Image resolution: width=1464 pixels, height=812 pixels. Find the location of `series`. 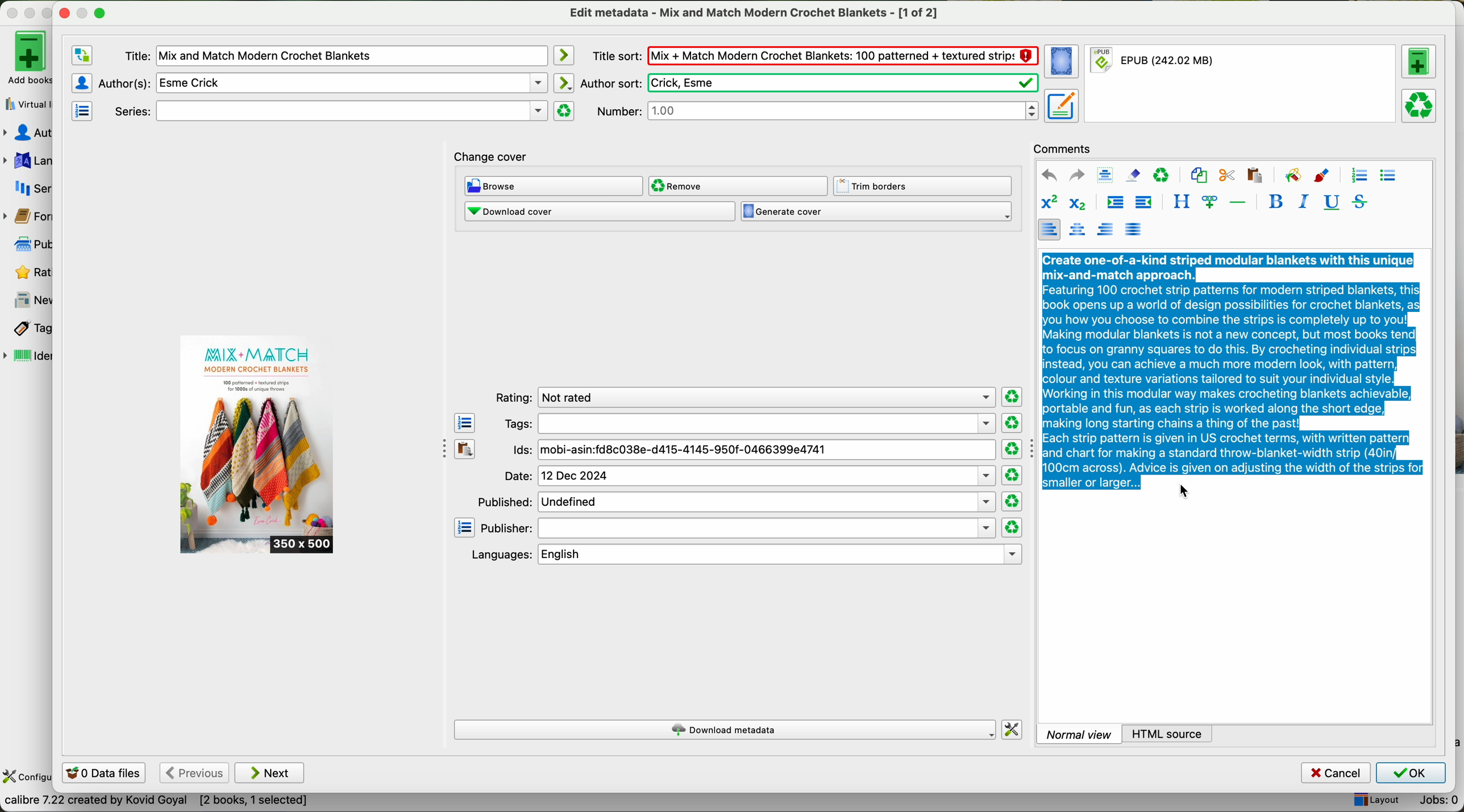

series is located at coordinates (27, 188).